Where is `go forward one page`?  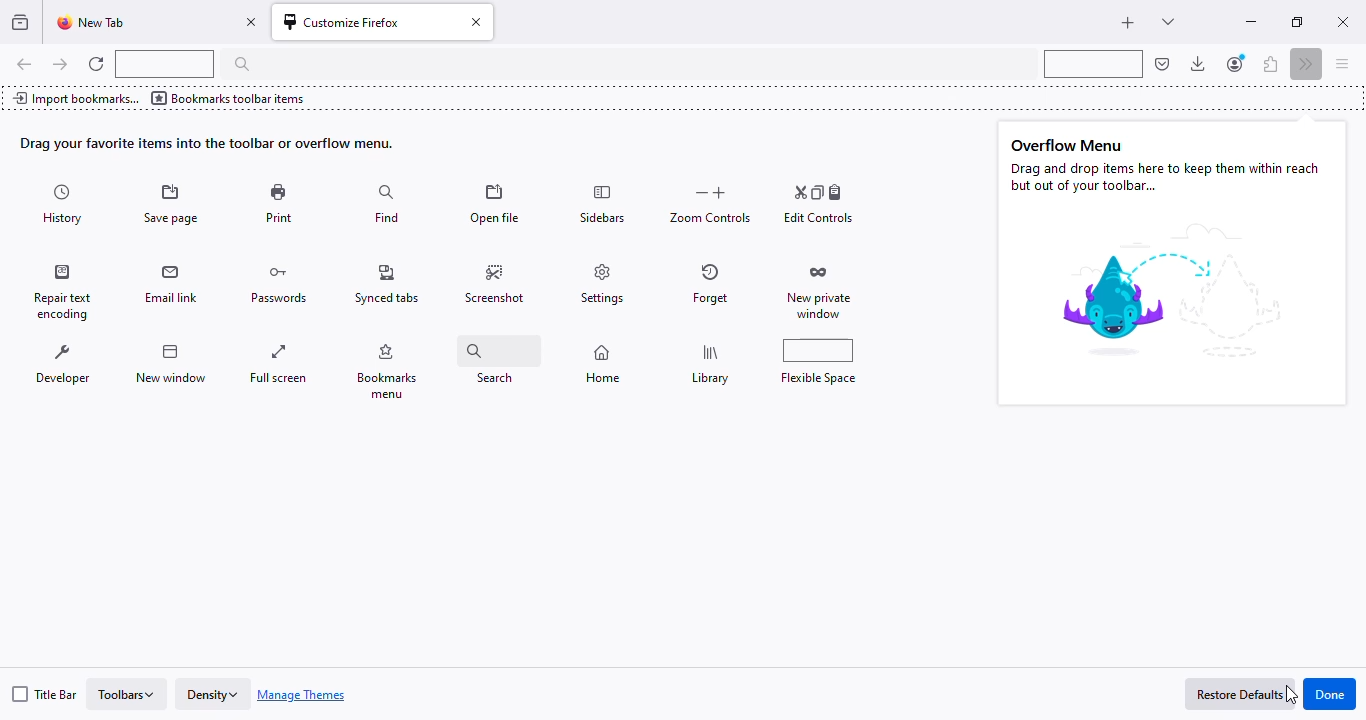
go forward one page is located at coordinates (61, 64).